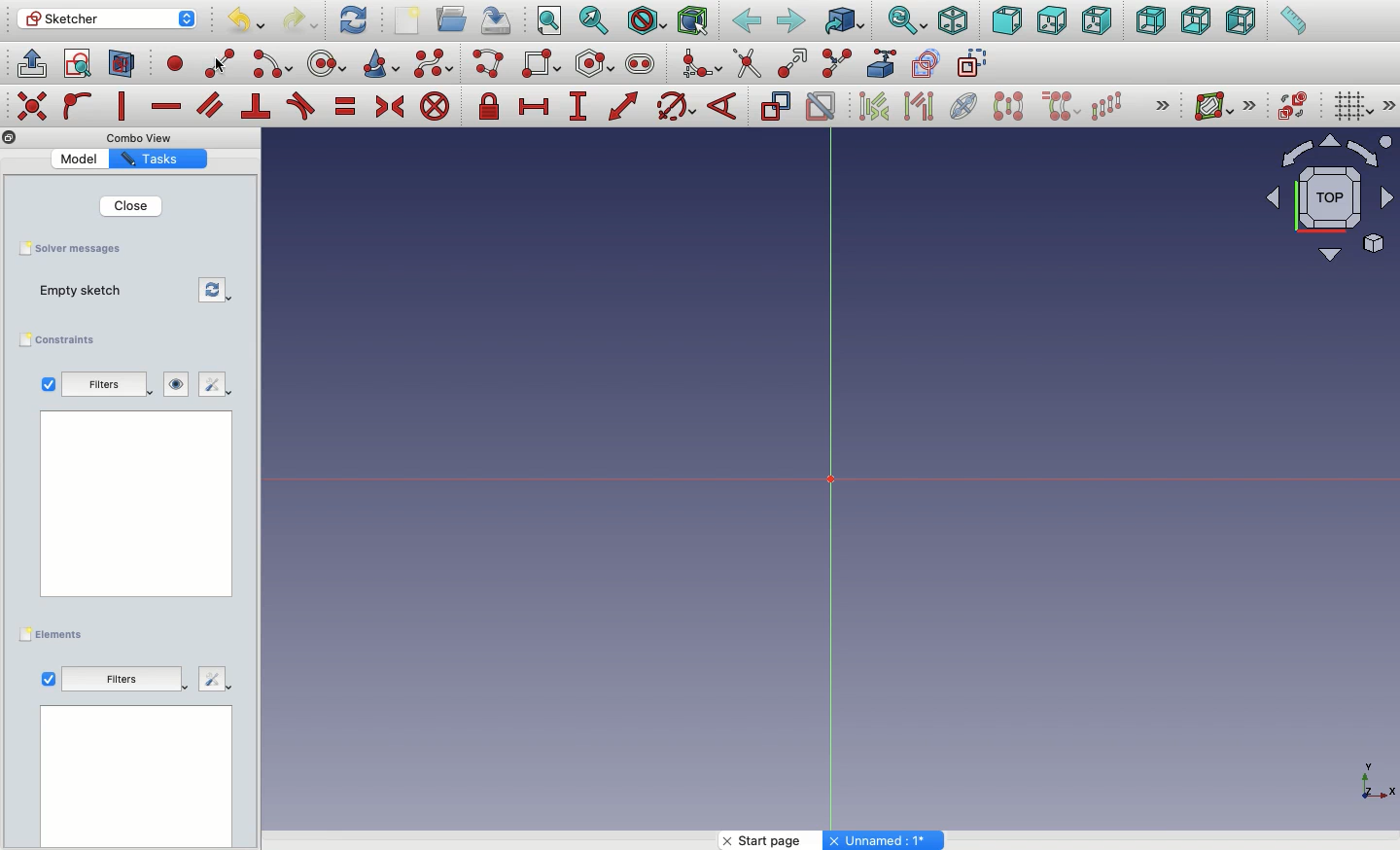  What do you see at coordinates (975, 64) in the screenshot?
I see `construction geometry` at bounding box center [975, 64].